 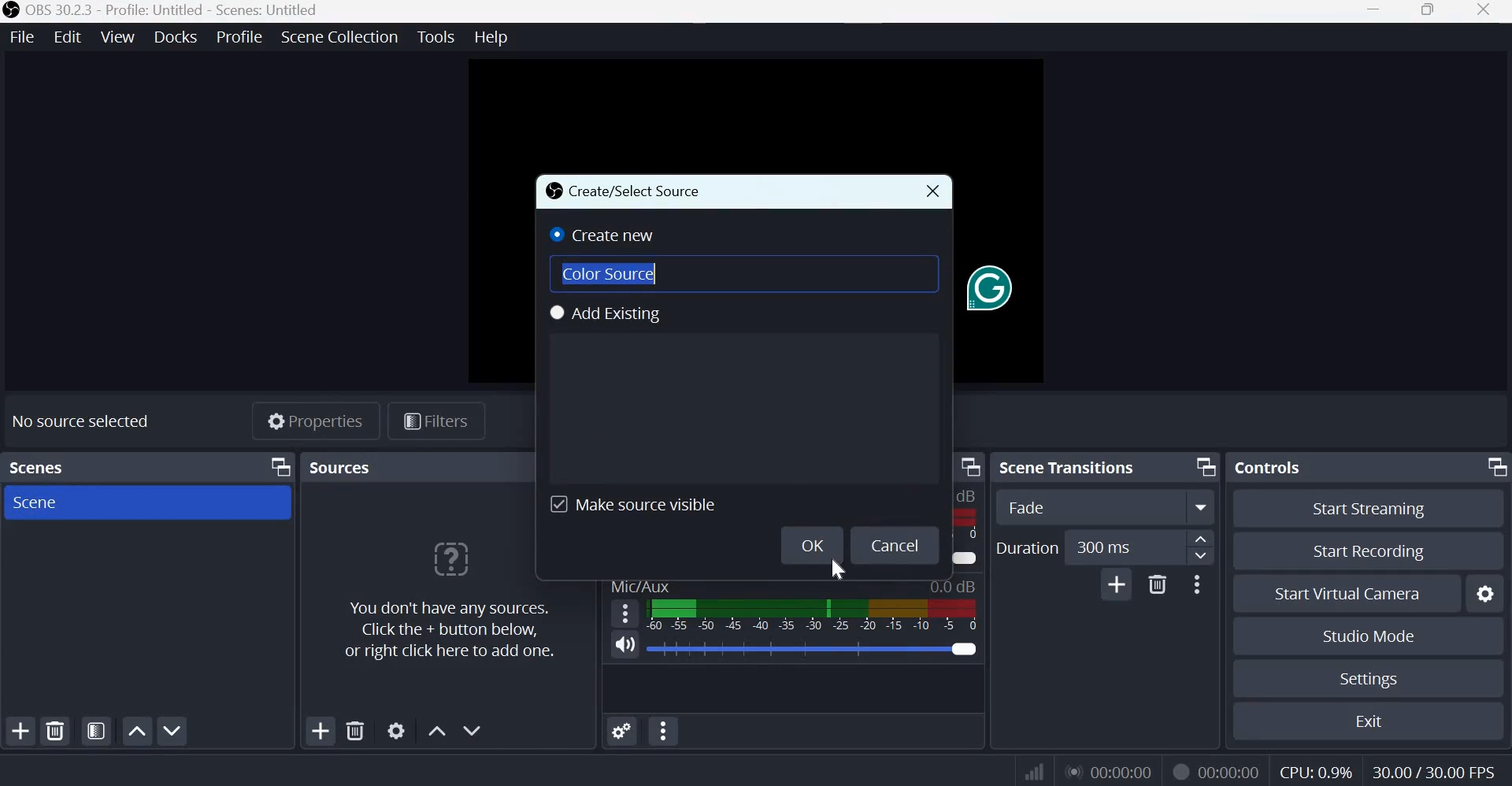 I want to click on Audio Slider, so click(x=963, y=647).